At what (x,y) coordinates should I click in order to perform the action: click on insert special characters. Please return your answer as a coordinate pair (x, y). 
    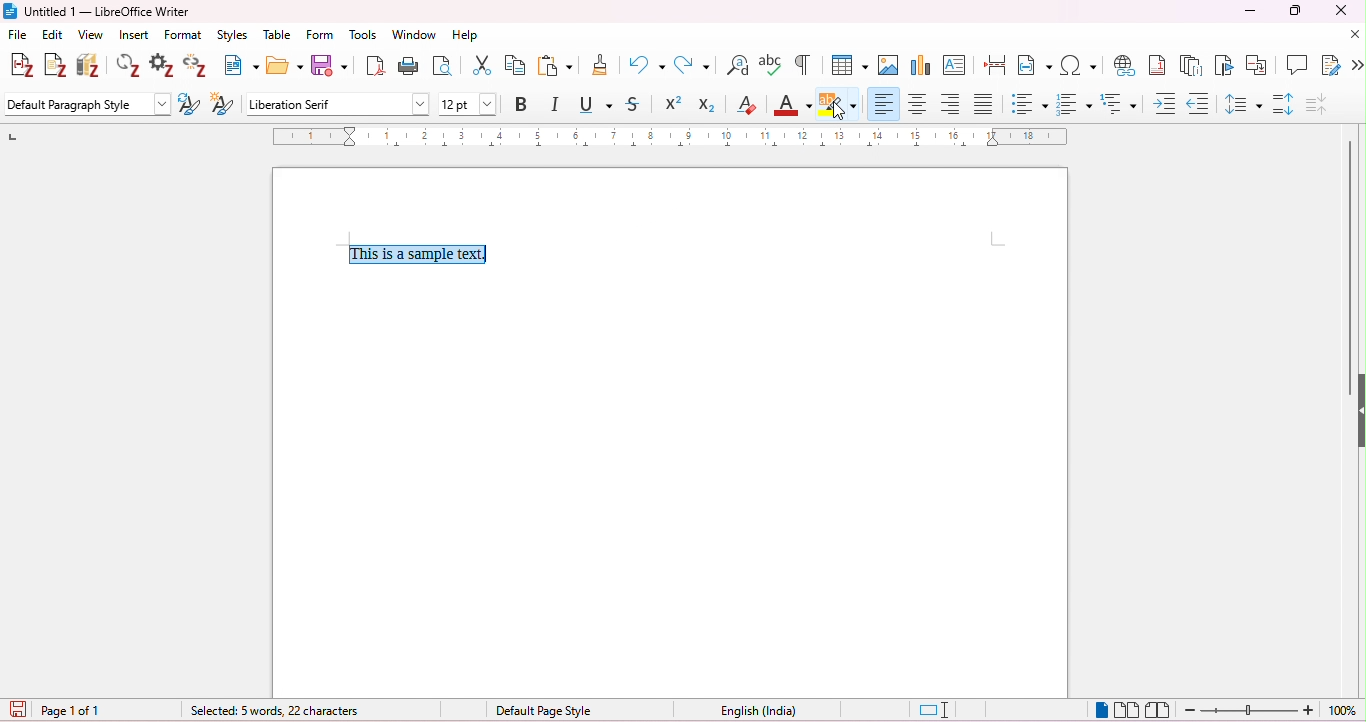
    Looking at the image, I should click on (1079, 64).